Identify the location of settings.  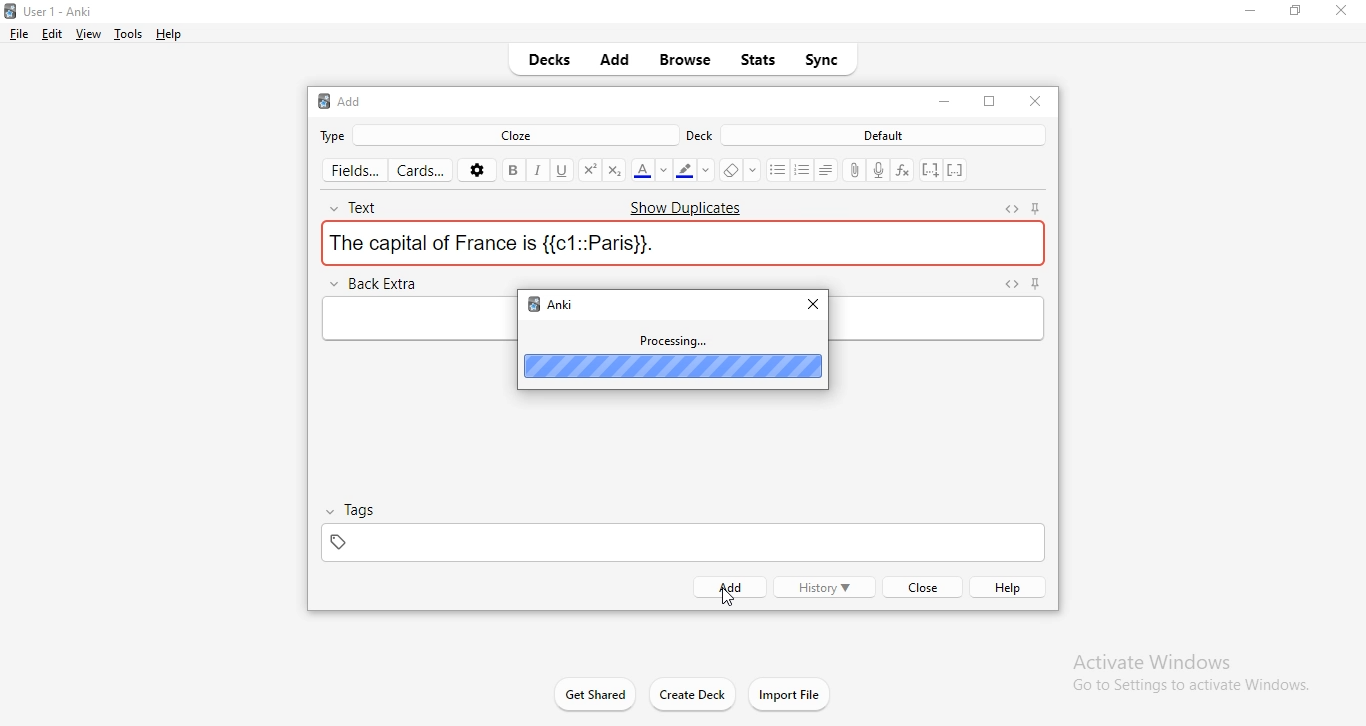
(480, 170).